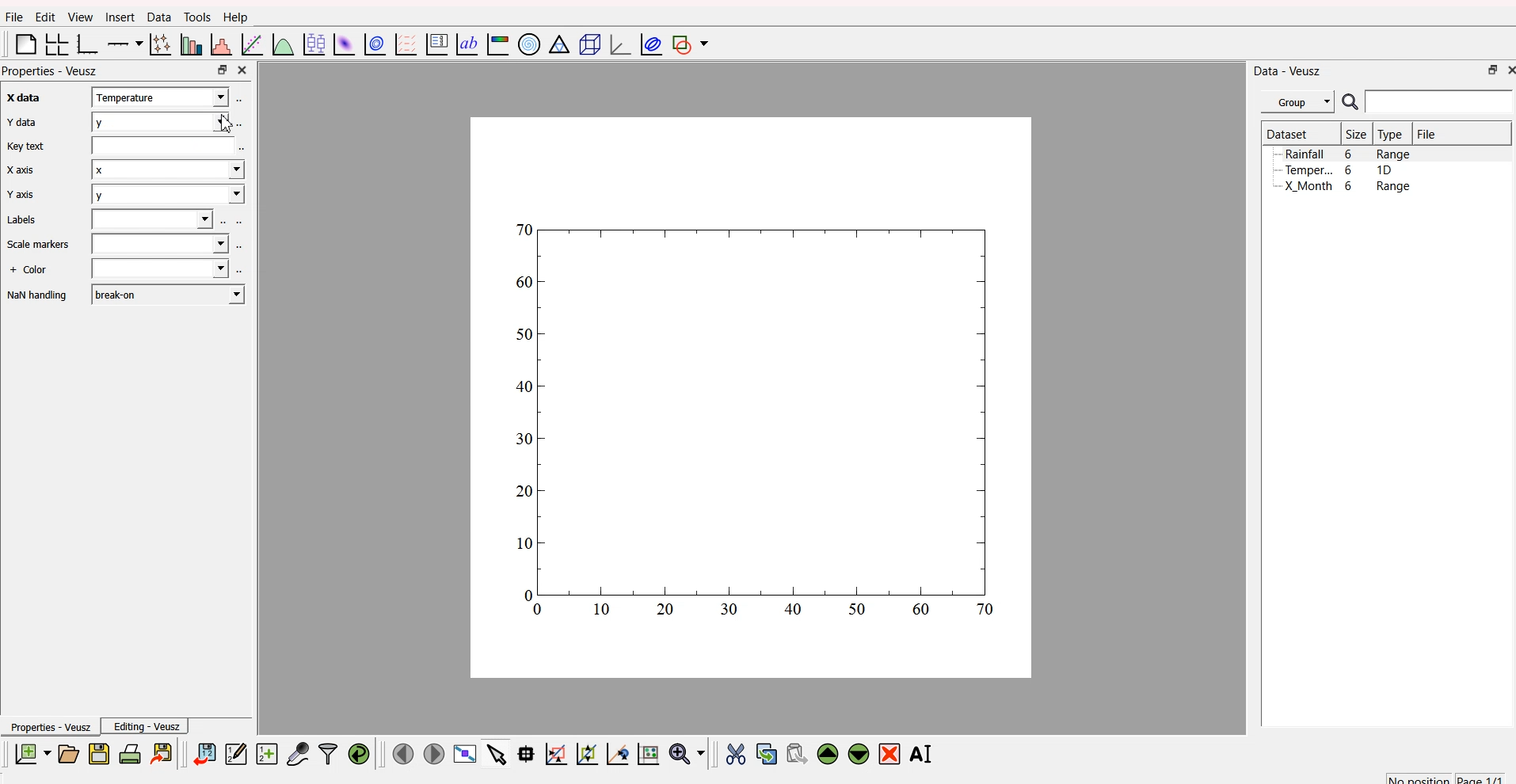 The image size is (1516, 784). What do you see at coordinates (358, 752) in the screenshot?
I see `reload linked dataset` at bounding box center [358, 752].